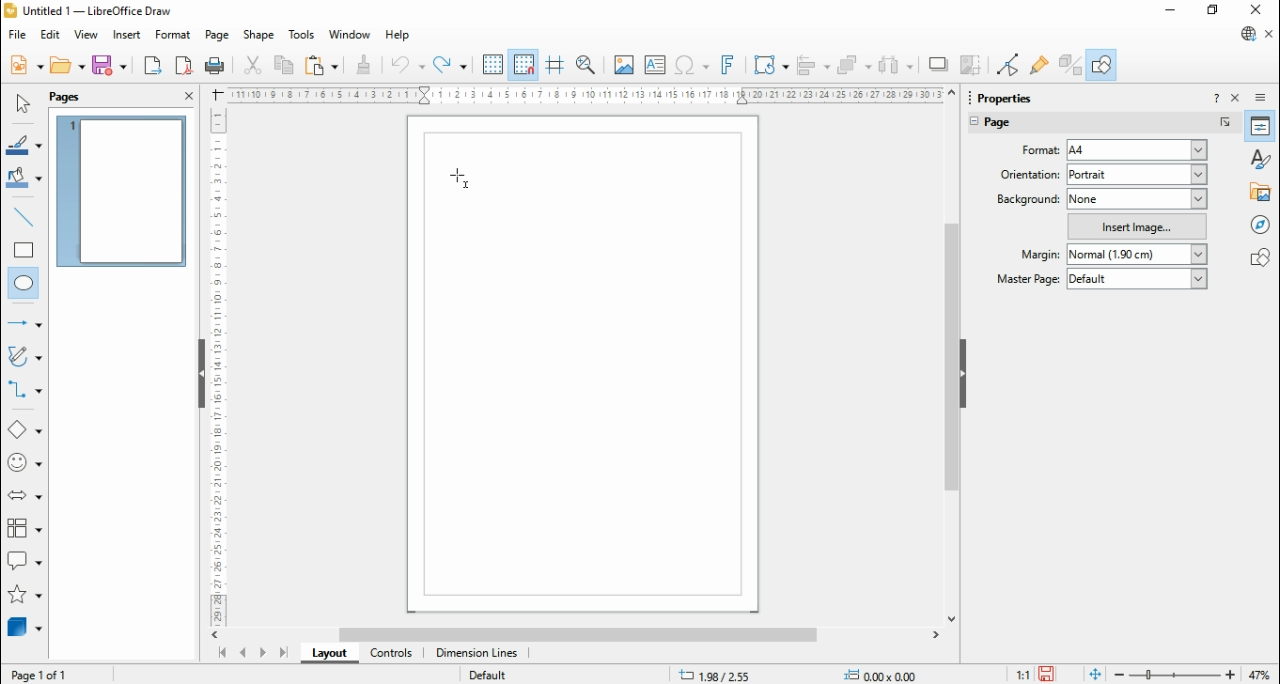  What do you see at coordinates (952, 355) in the screenshot?
I see `scroll bar` at bounding box center [952, 355].